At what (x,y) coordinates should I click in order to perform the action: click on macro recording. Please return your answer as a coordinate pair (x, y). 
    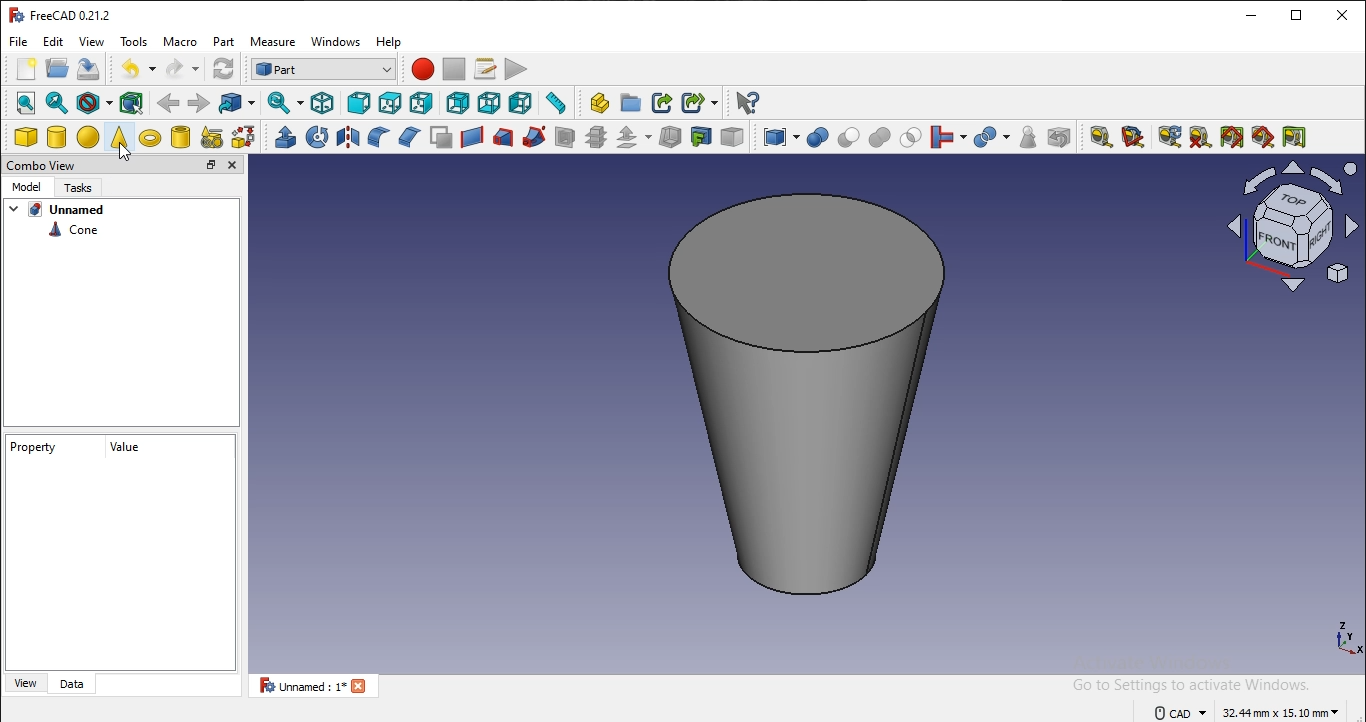
    Looking at the image, I should click on (422, 69).